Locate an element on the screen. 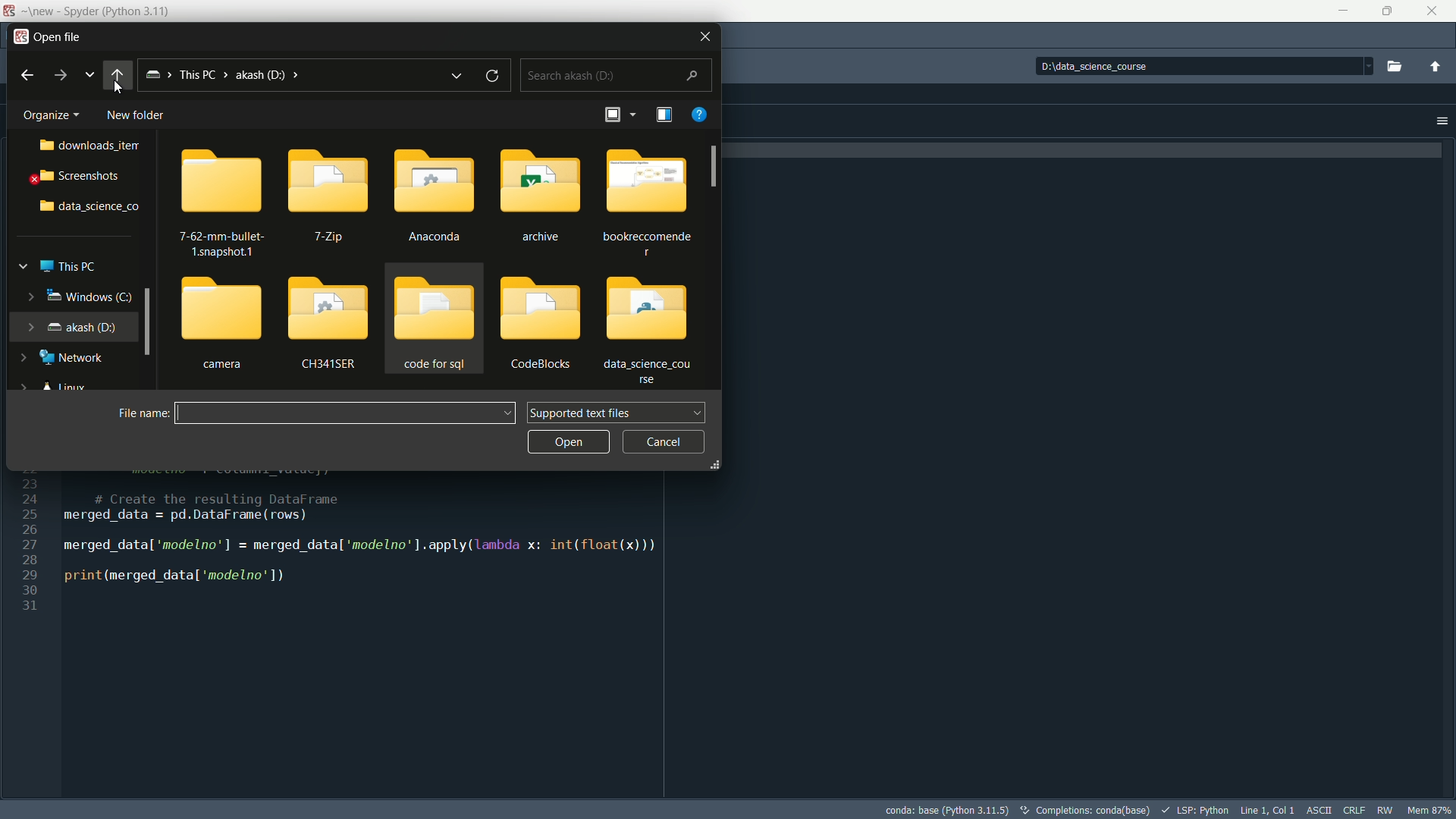 The width and height of the screenshot is (1456, 819). expand is located at coordinates (25, 357).